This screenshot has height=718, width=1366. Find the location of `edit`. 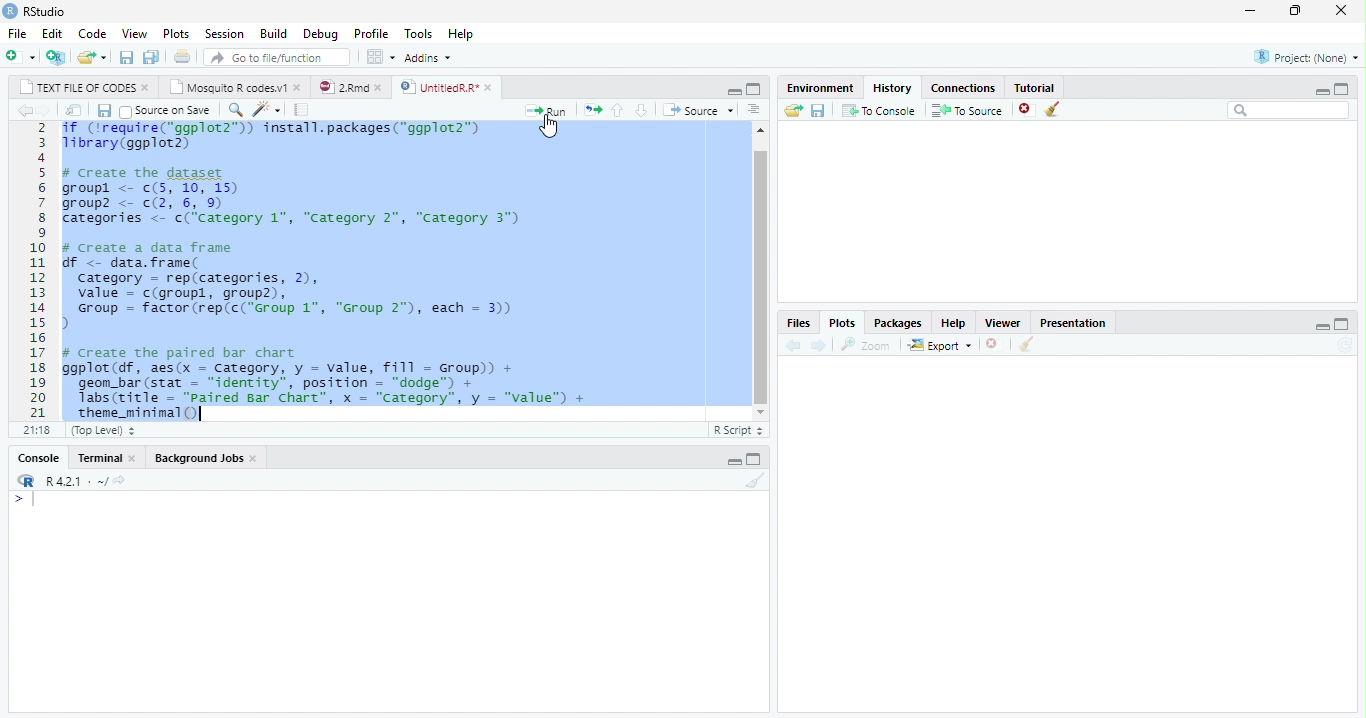

edit is located at coordinates (49, 33).